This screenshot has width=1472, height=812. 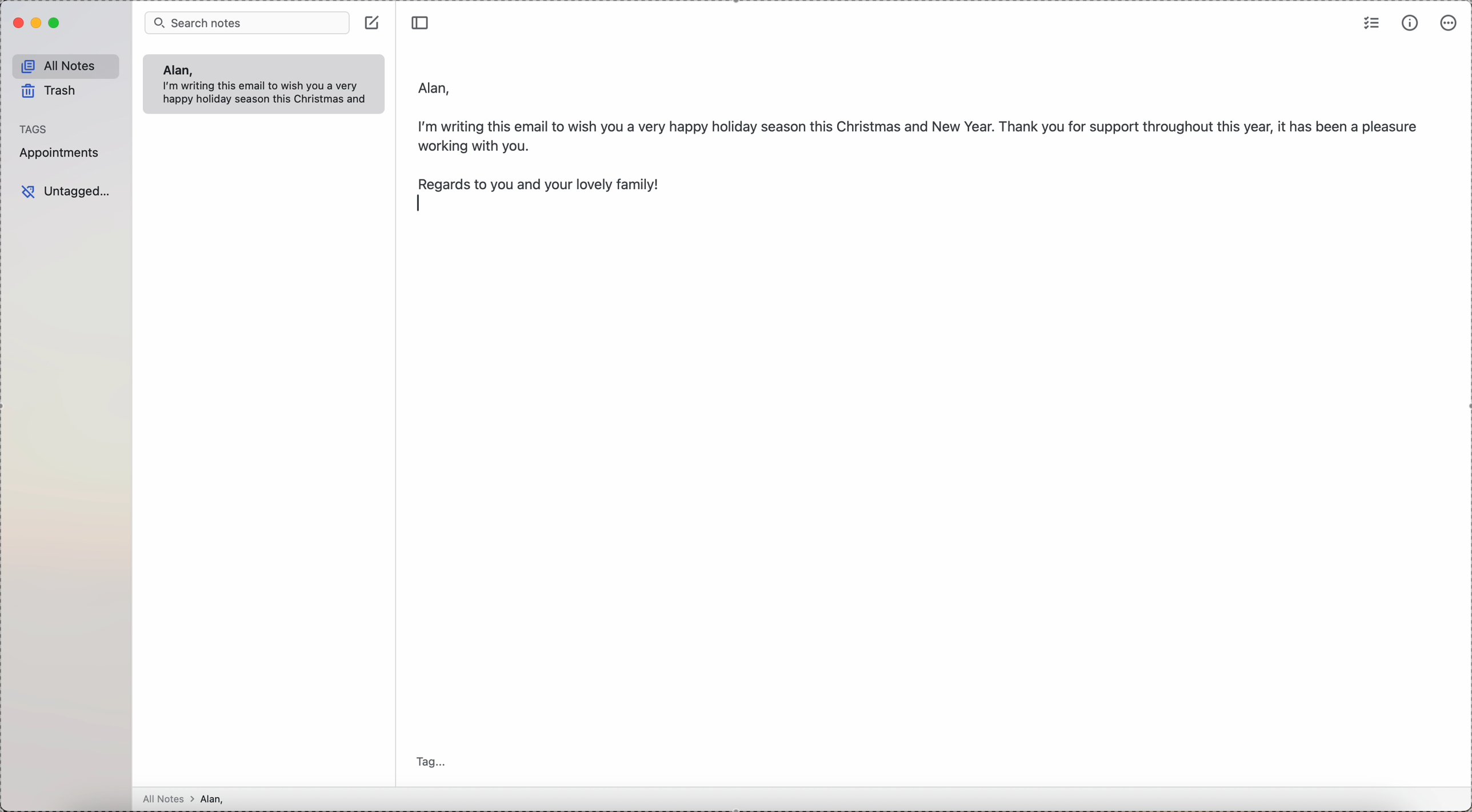 I want to click on all notes > Alan,, so click(x=187, y=799).